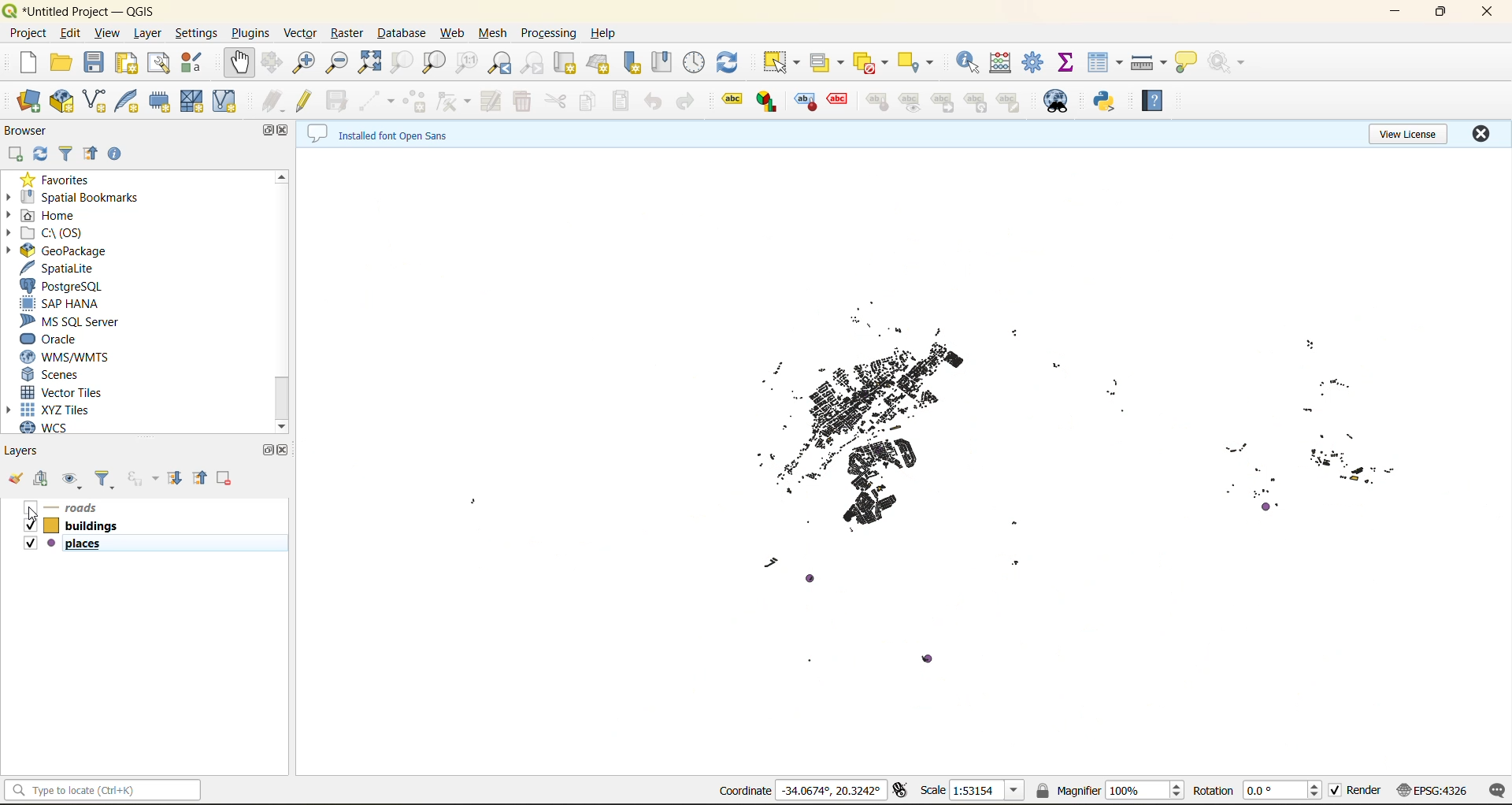 The image size is (1512, 805). I want to click on layer disabled, so click(89, 508).